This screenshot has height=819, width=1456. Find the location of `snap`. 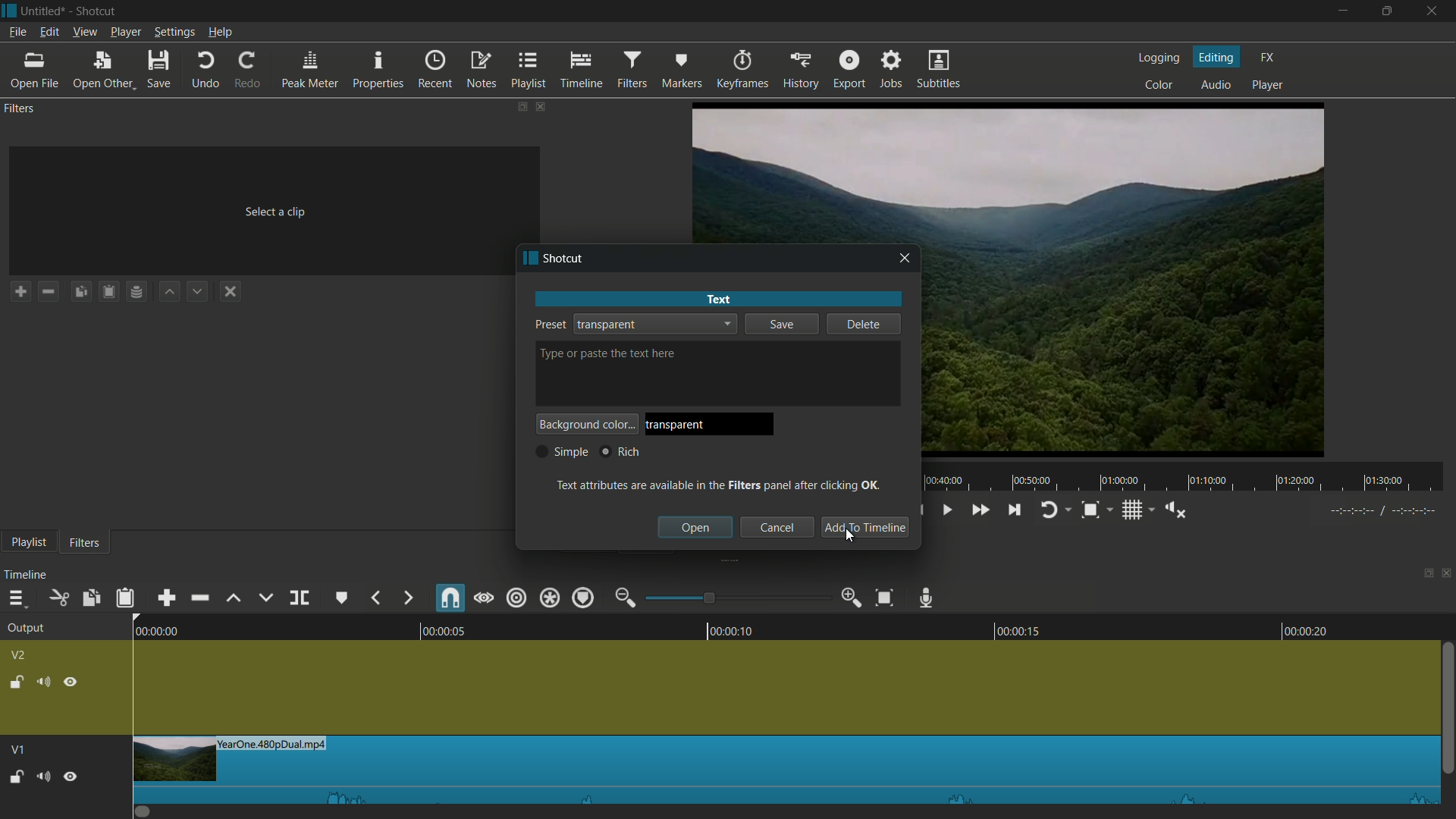

snap is located at coordinates (451, 599).